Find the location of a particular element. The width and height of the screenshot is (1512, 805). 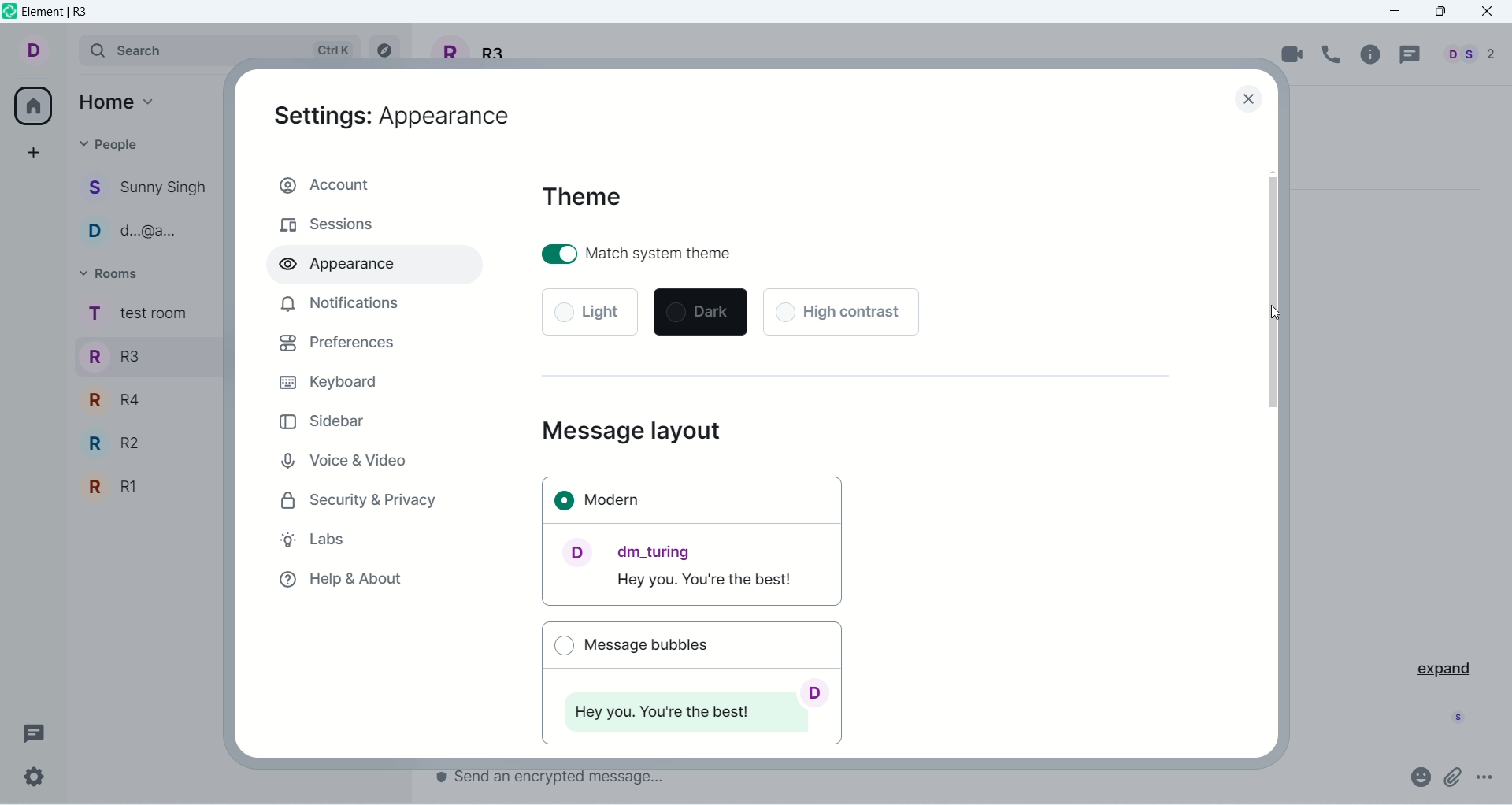

message bubbles is located at coordinates (695, 682).